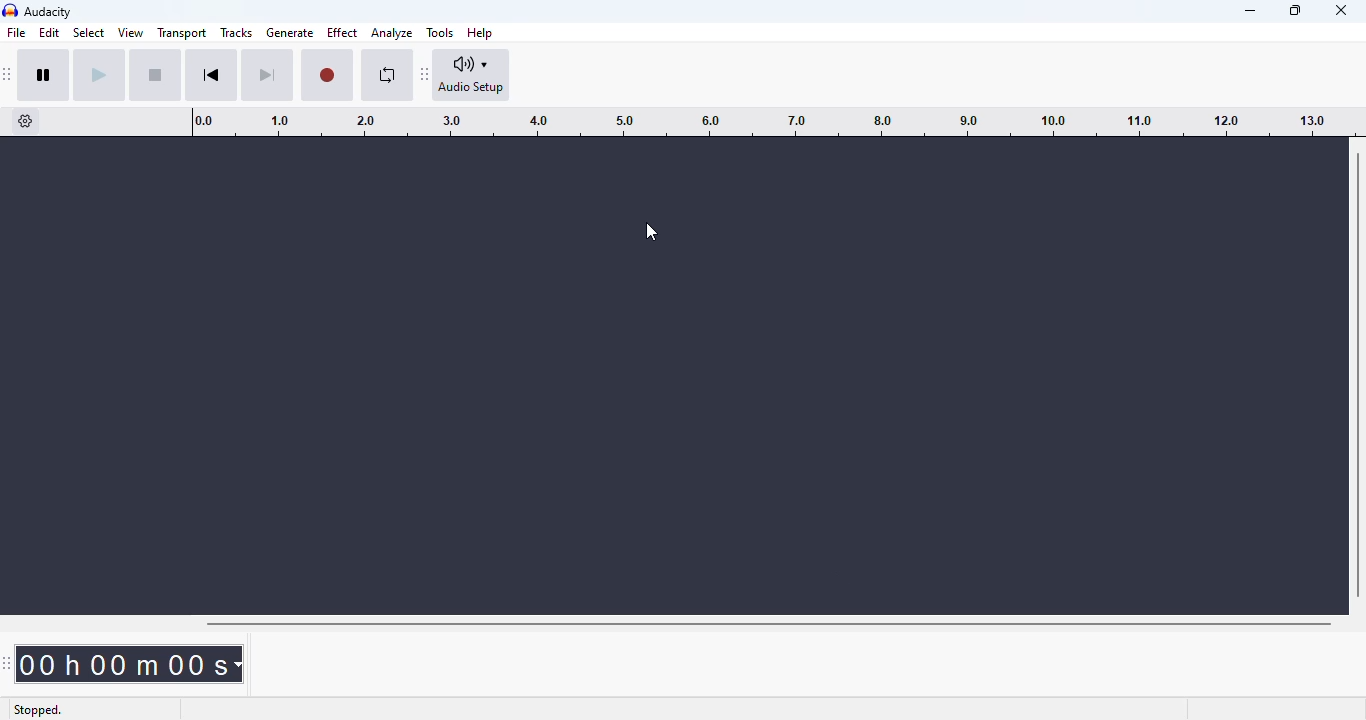  Describe the element at coordinates (392, 33) in the screenshot. I see `analyze` at that location.